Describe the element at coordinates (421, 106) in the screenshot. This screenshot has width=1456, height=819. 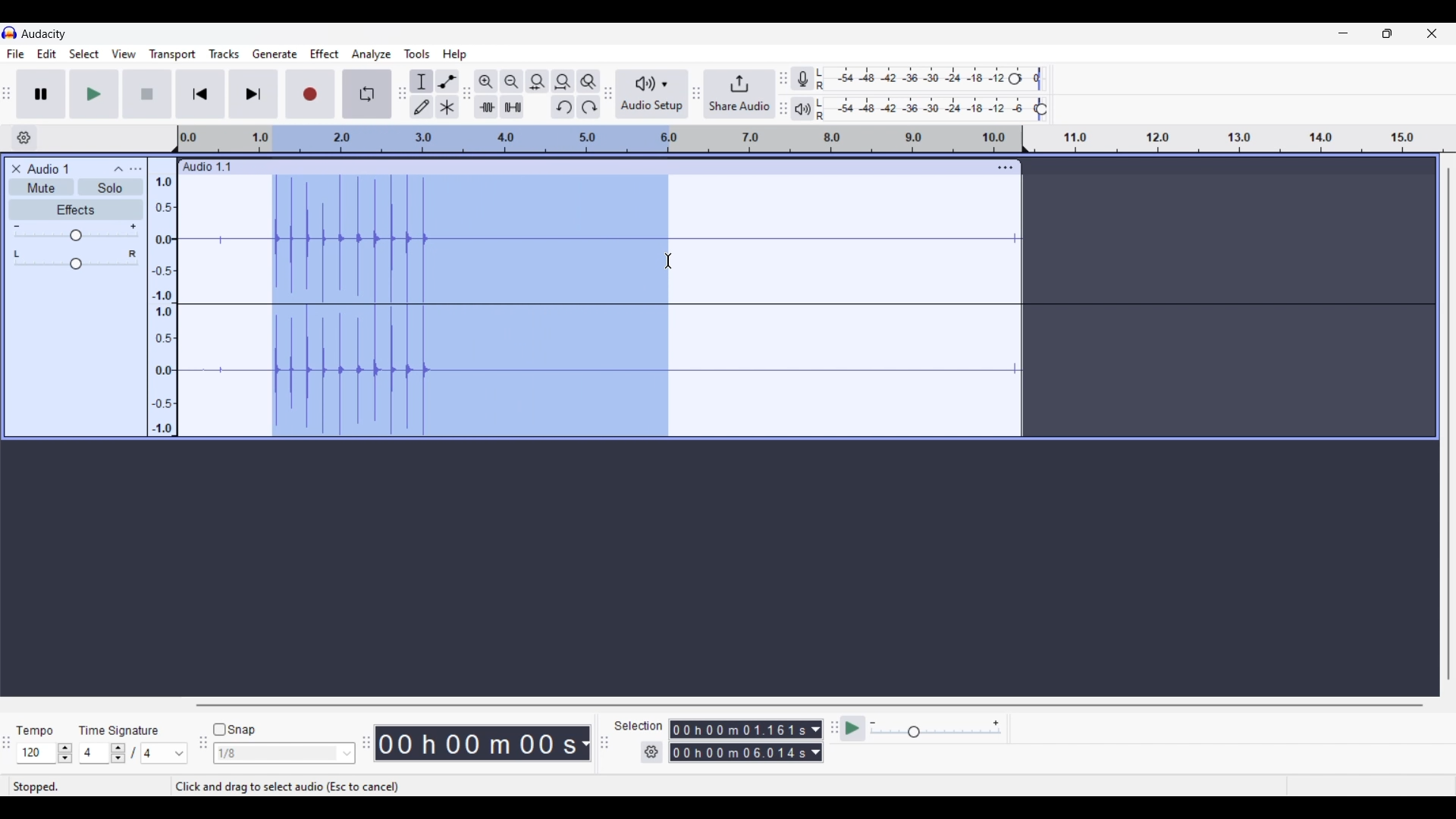
I see `Draw tool` at that location.